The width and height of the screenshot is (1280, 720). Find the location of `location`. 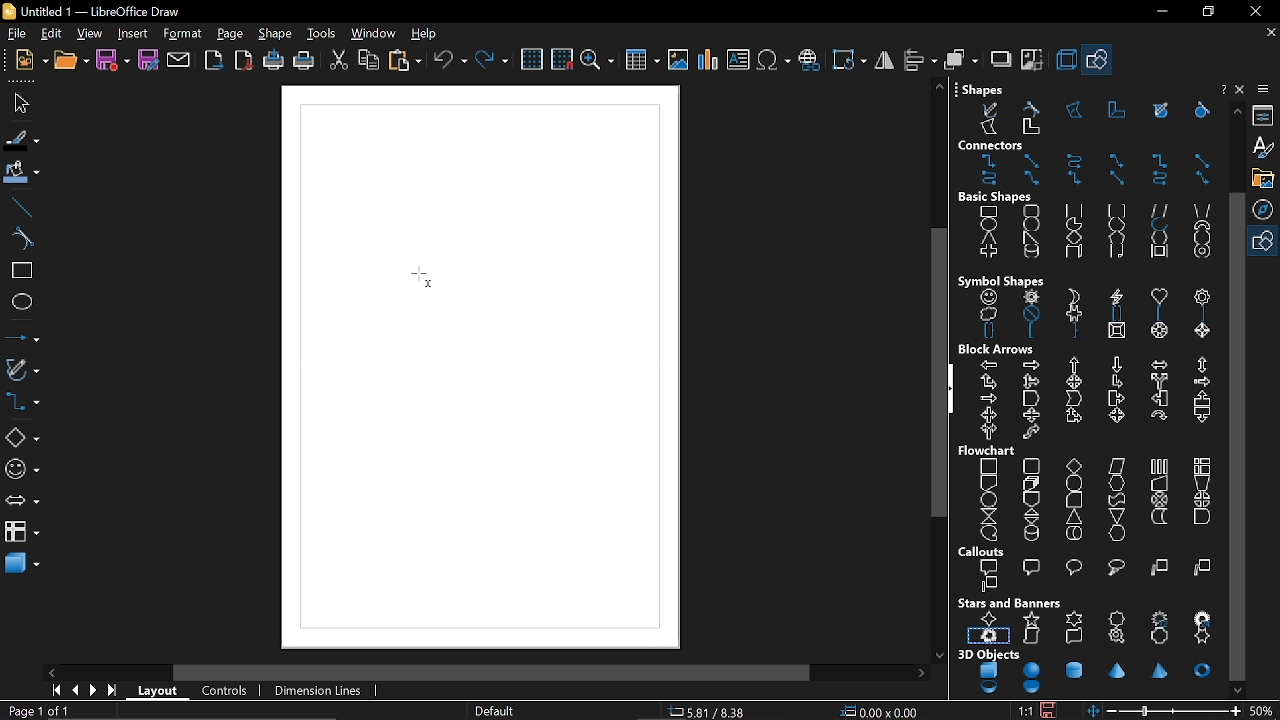

location is located at coordinates (882, 712).